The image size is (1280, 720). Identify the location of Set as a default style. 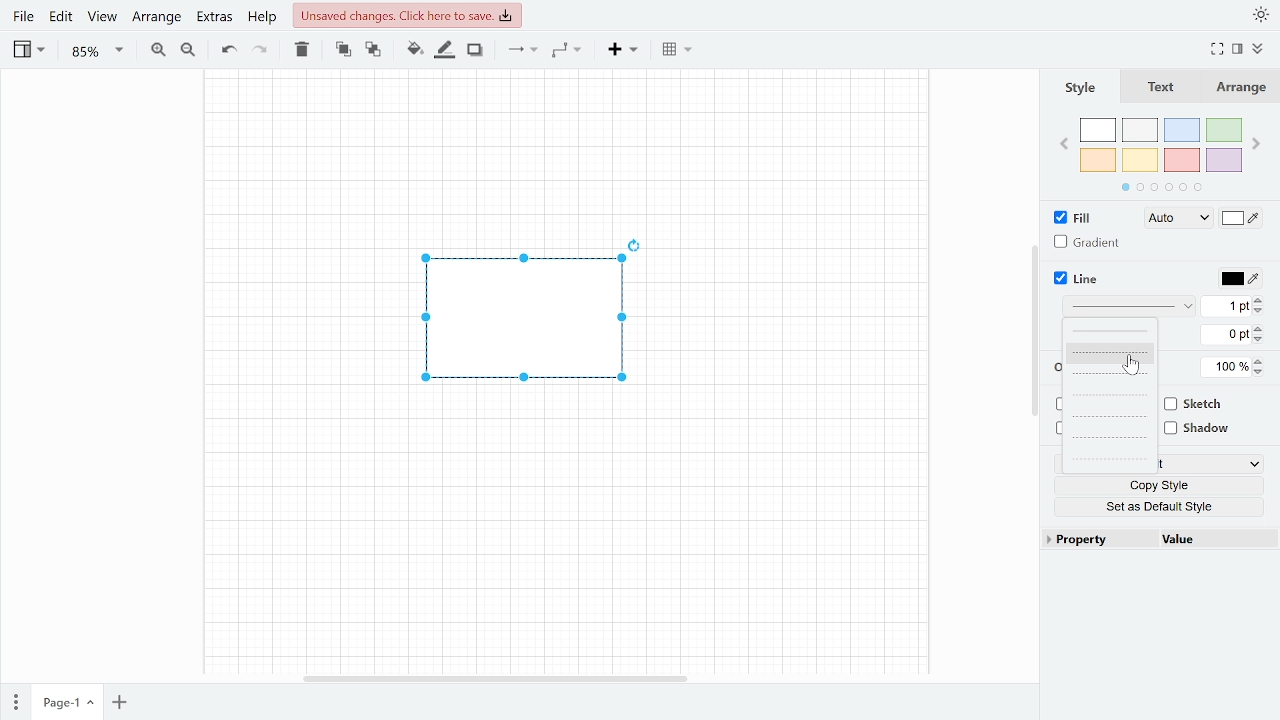
(1161, 506).